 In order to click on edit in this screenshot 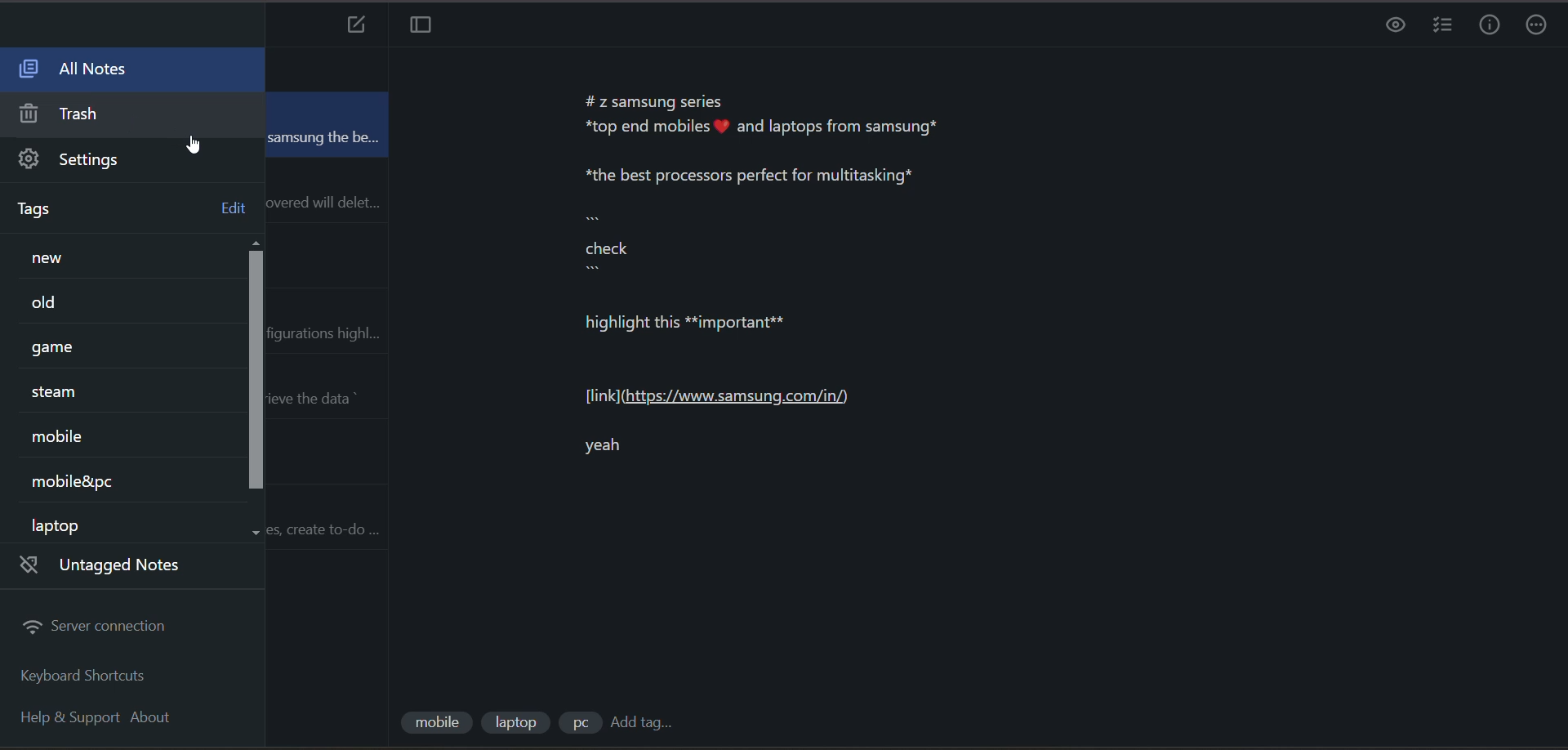, I will do `click(223, 209)`.